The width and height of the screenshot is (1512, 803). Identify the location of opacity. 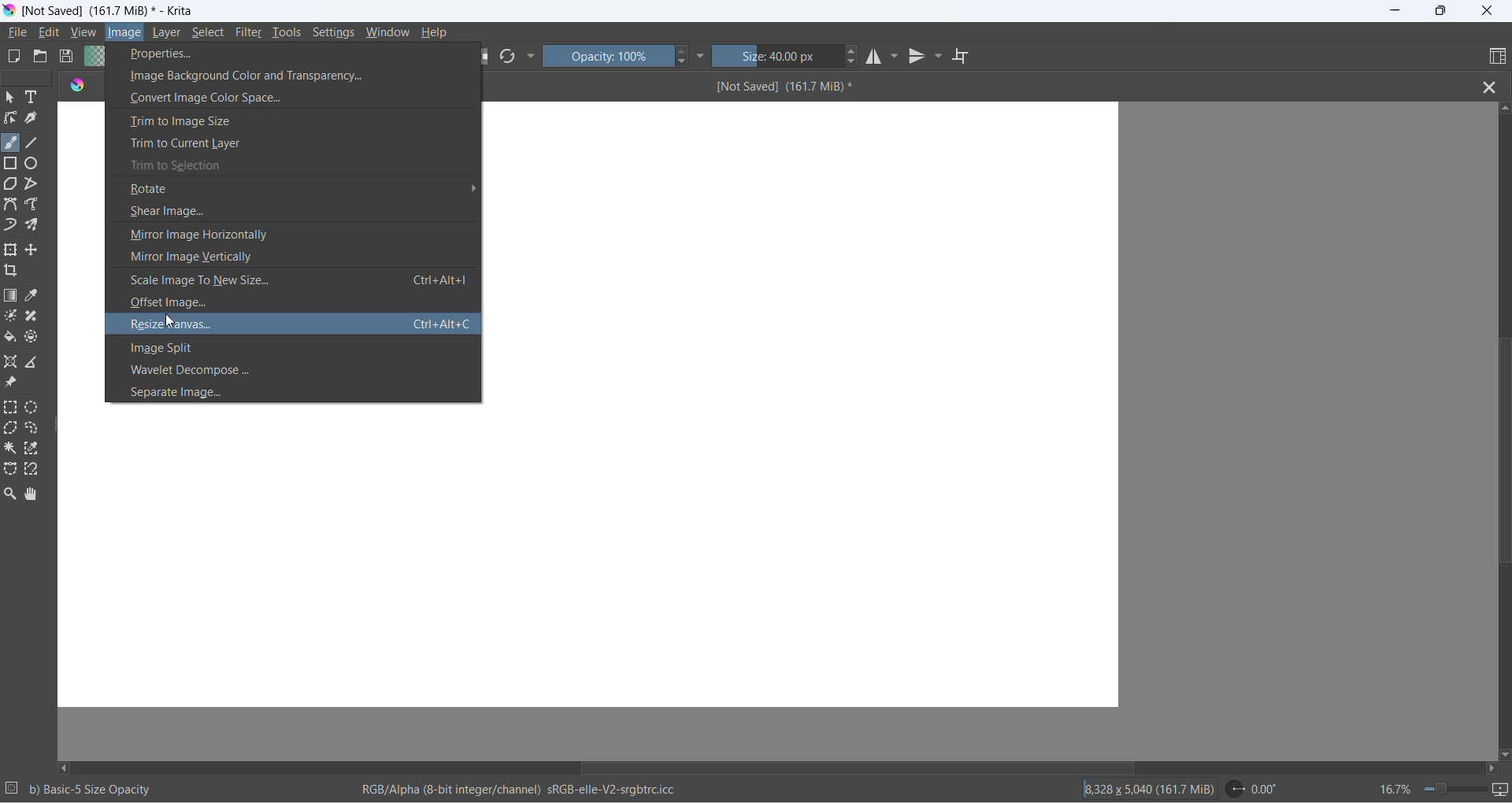
(609, 56).